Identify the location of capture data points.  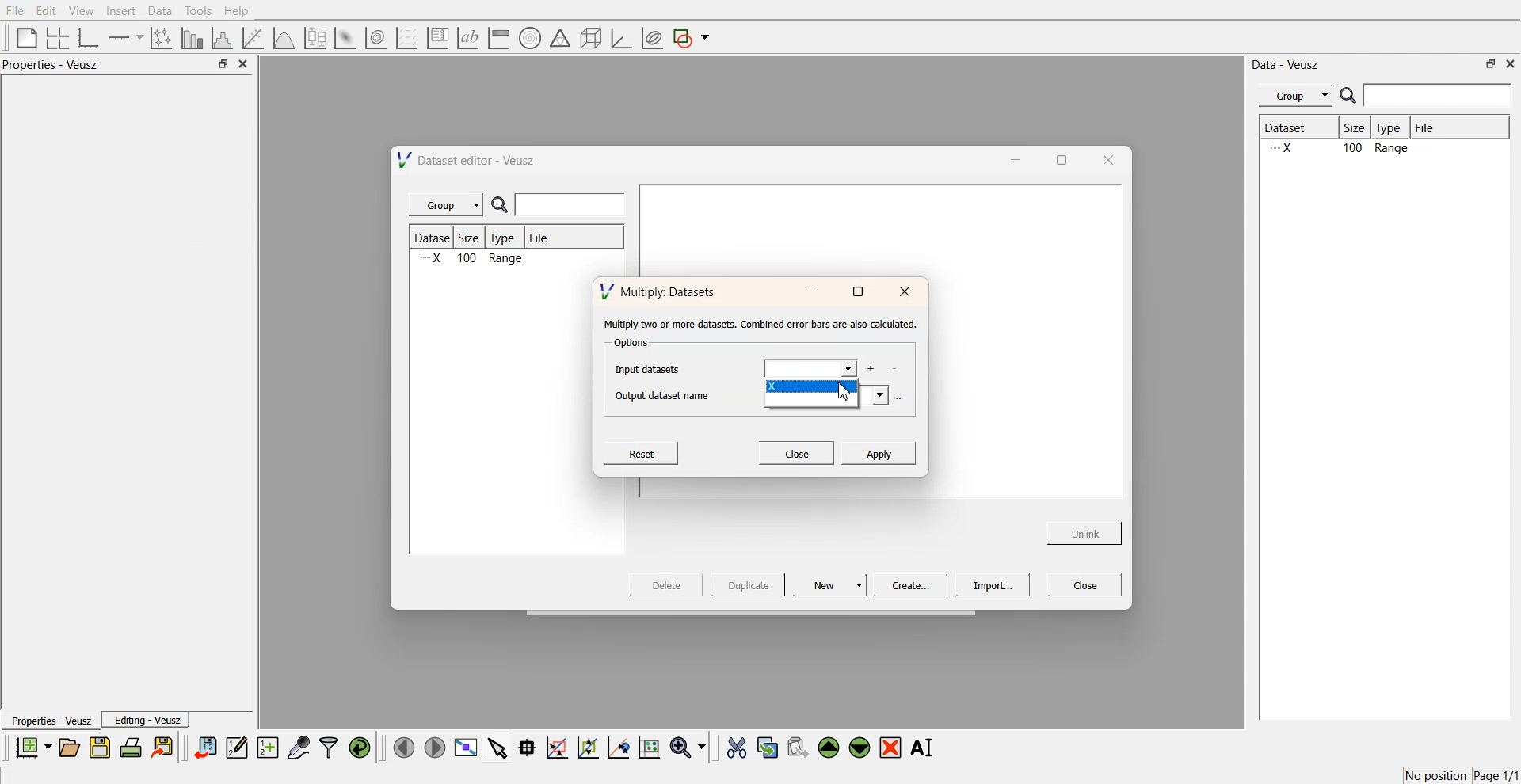
(299, 748).